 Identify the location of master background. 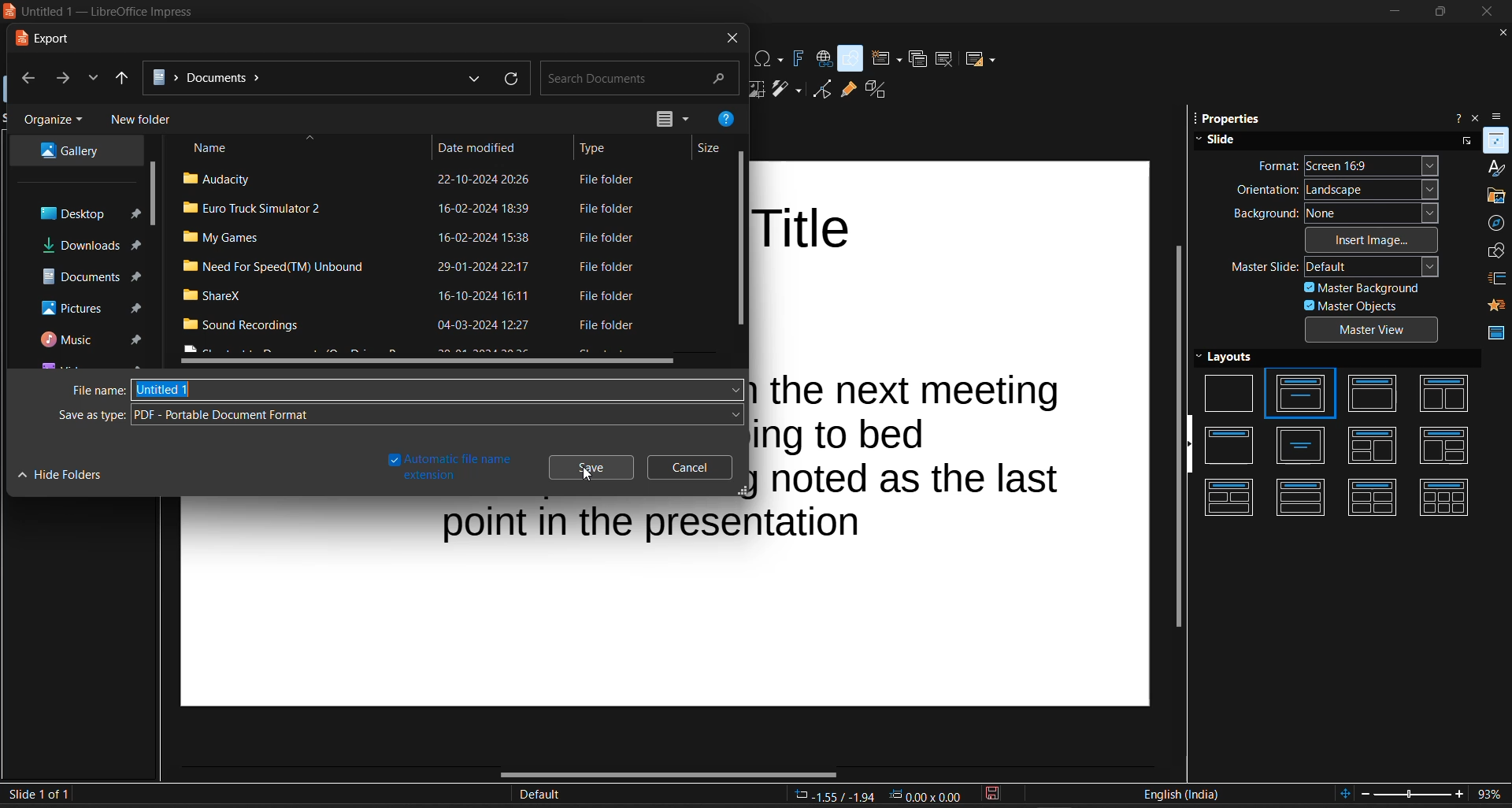
(1361, 287).